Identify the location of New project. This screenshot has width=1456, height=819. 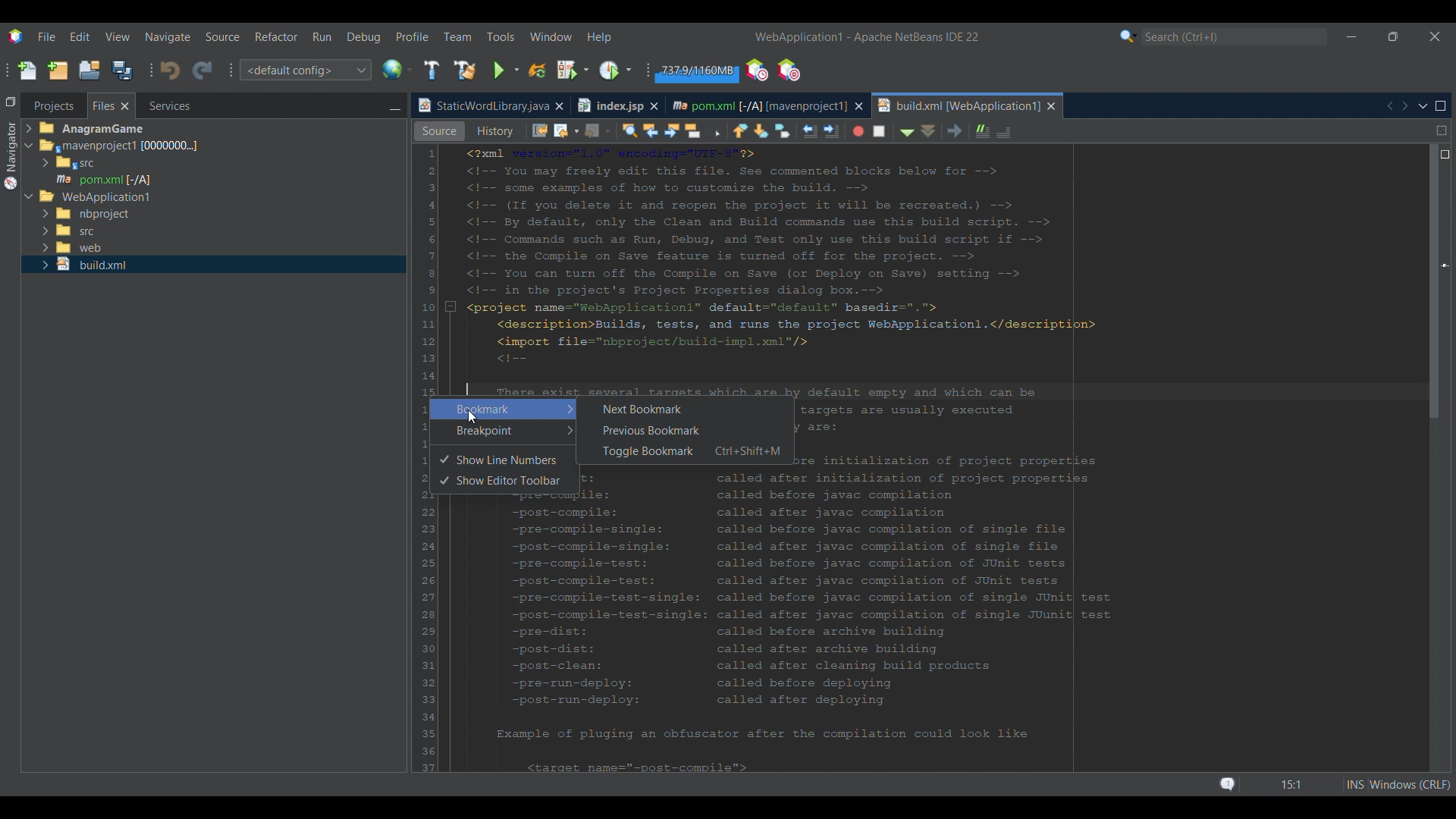
(58, 70).